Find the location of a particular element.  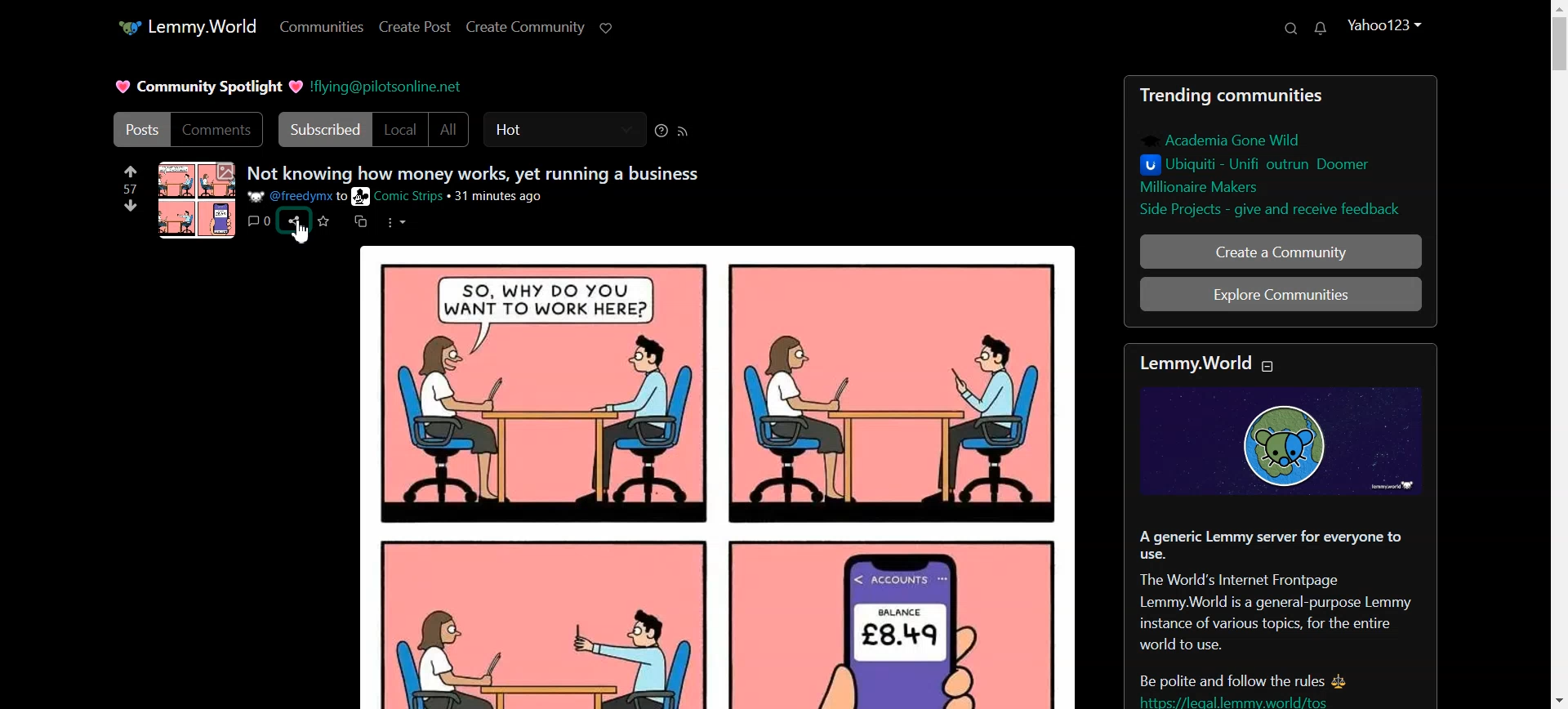

Comments is located at coordinates (218, 130).